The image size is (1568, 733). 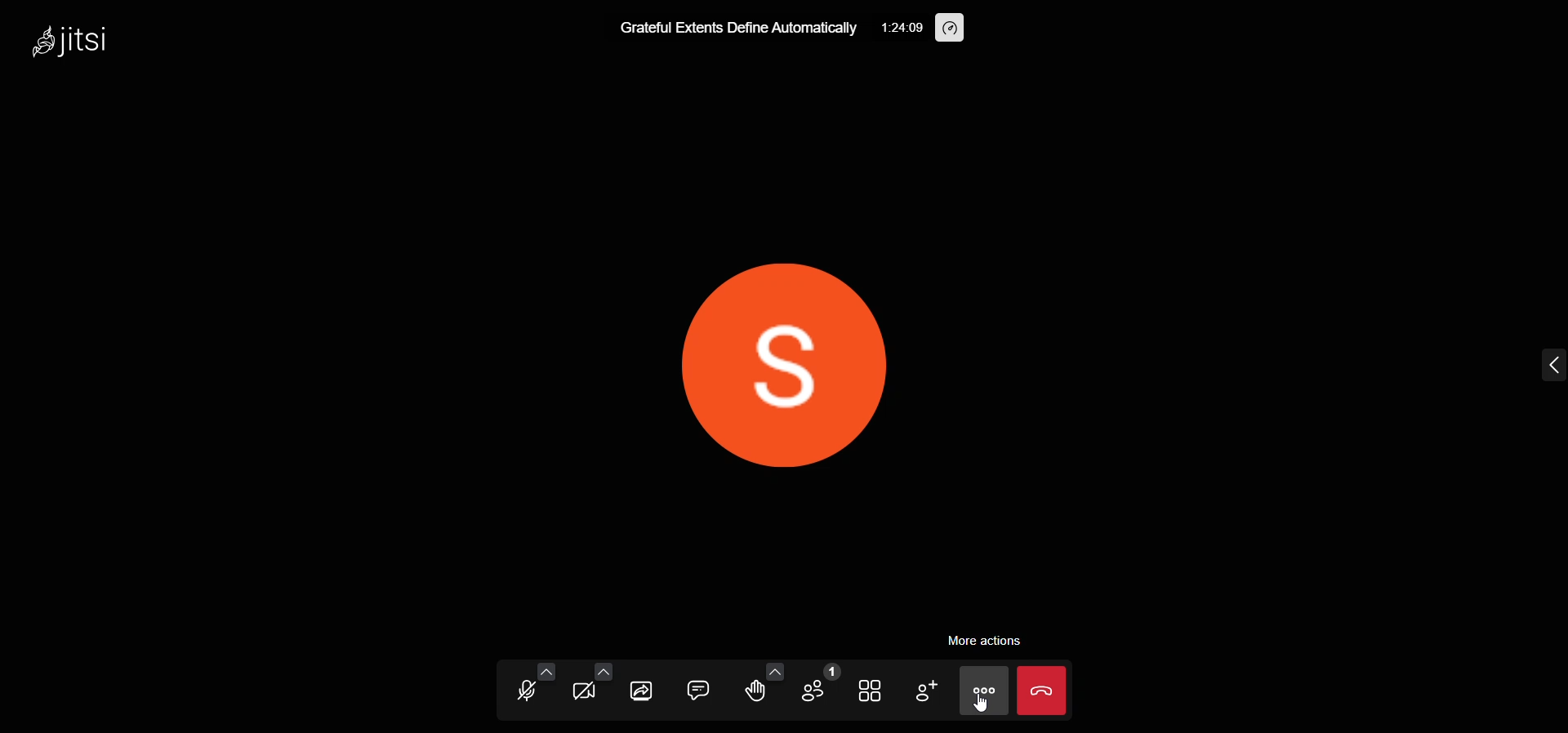 I want to click on raise hand, so click(x=751, y=693).